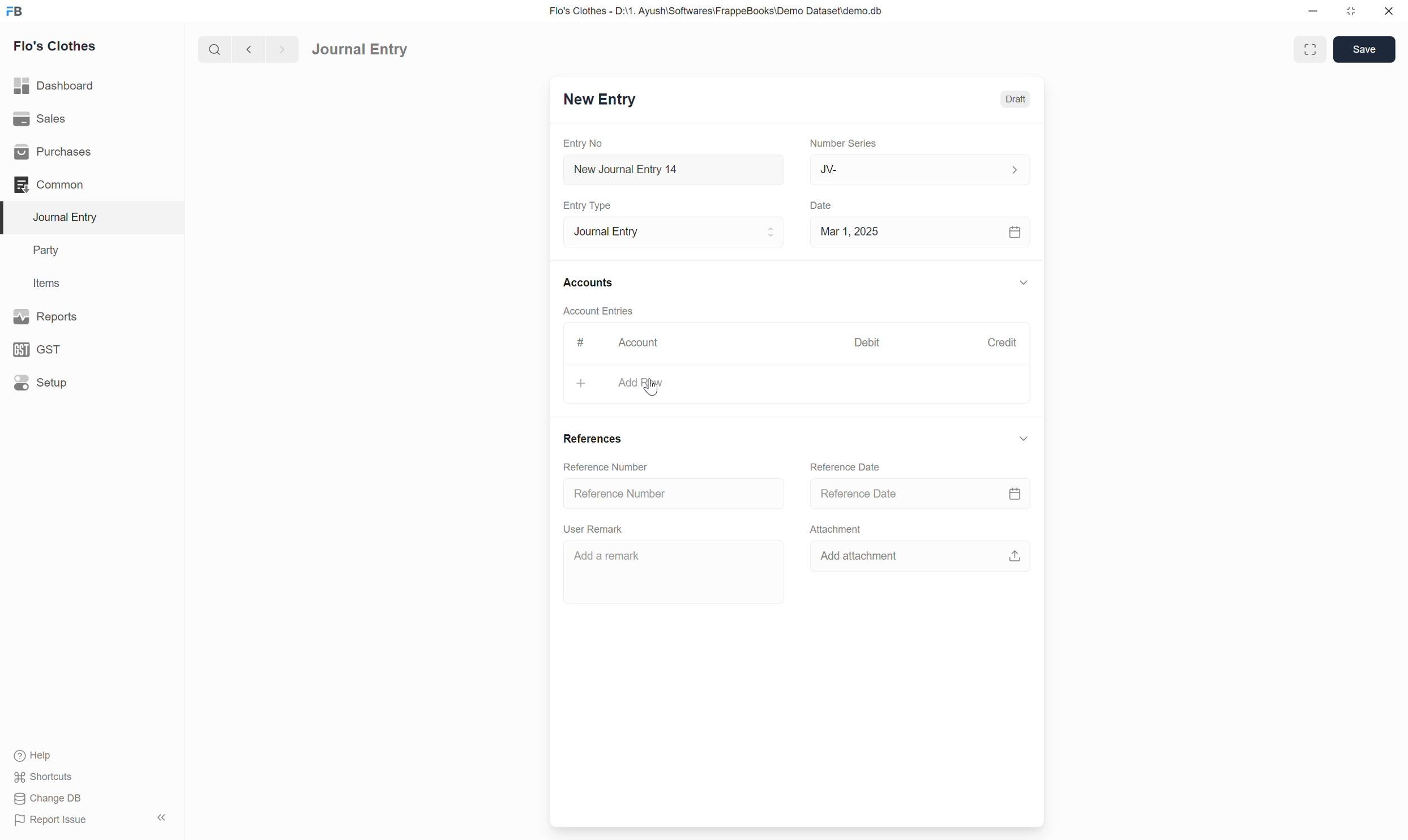 This screenshot has width=1408, height=840. Describe the element at coordinates (841, 532) in the screenshot. I see `Attachment` at that location.